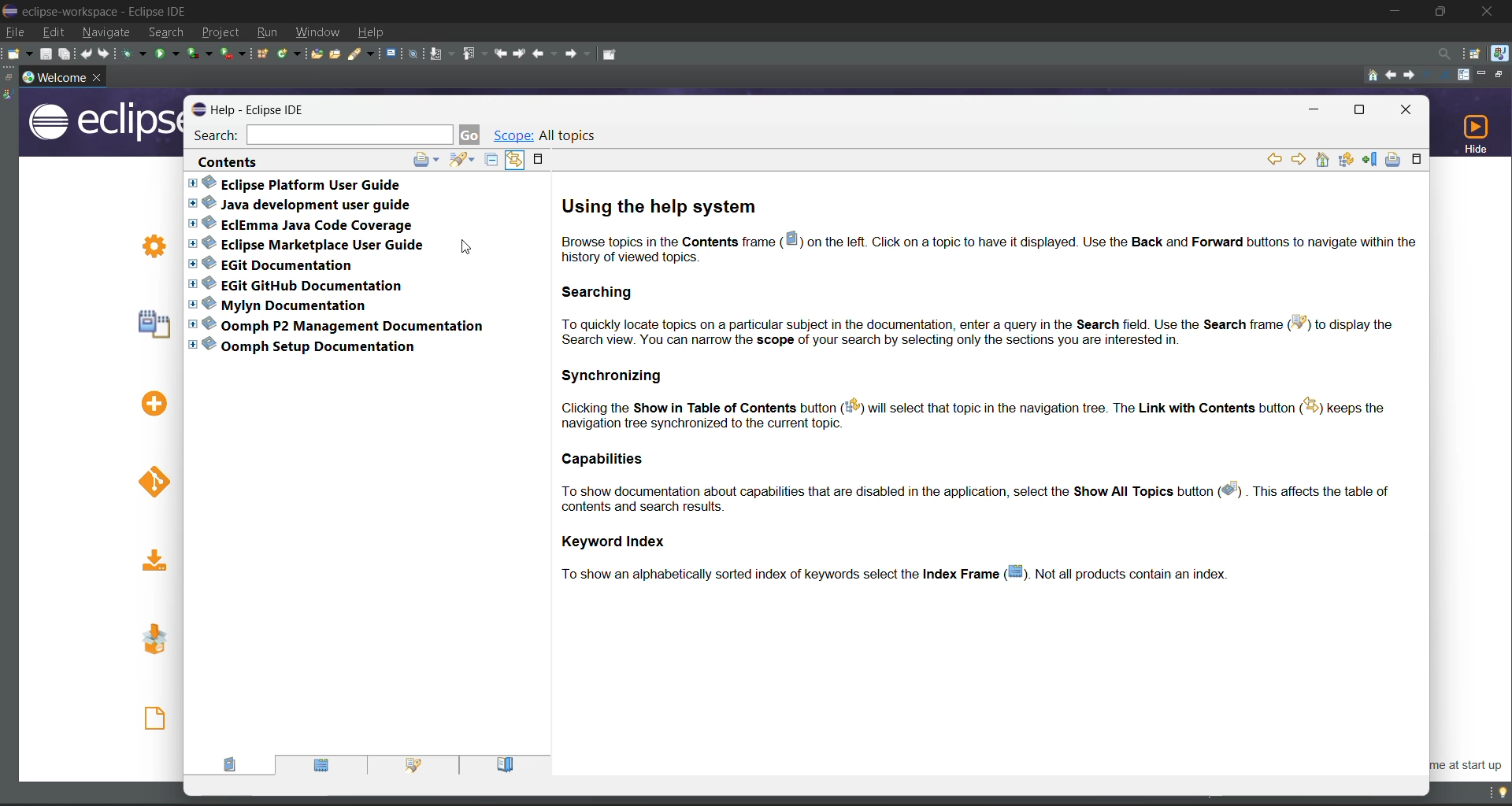 Image resolution: width=1512 pixels, height=806 pixels. Describe the element at coordinates (287, 54) in the screenshot. I see `new java class` at that location.